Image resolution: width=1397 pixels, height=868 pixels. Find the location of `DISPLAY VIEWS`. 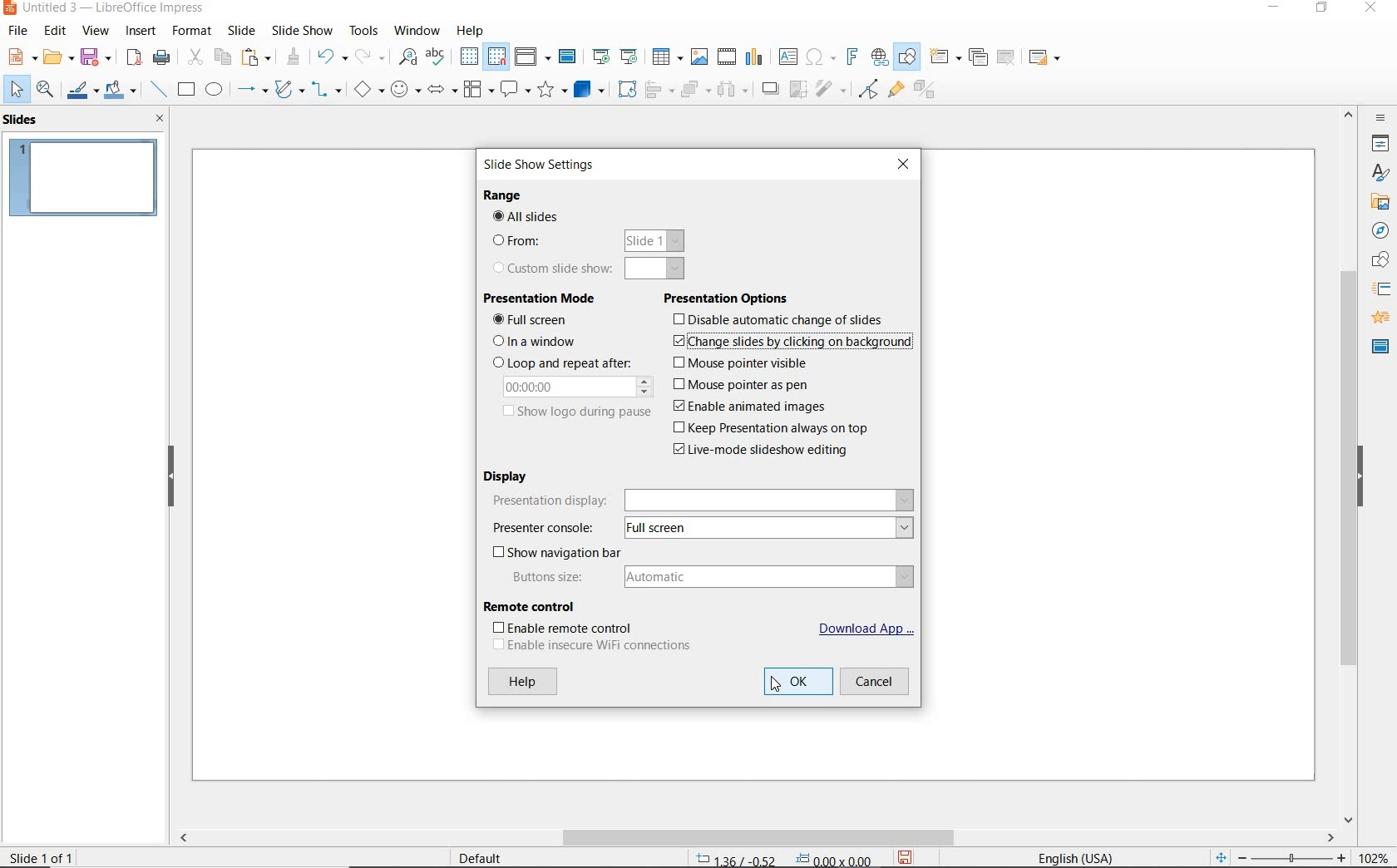

DISPLAY VIEWS is located at coordinates (533, 57).